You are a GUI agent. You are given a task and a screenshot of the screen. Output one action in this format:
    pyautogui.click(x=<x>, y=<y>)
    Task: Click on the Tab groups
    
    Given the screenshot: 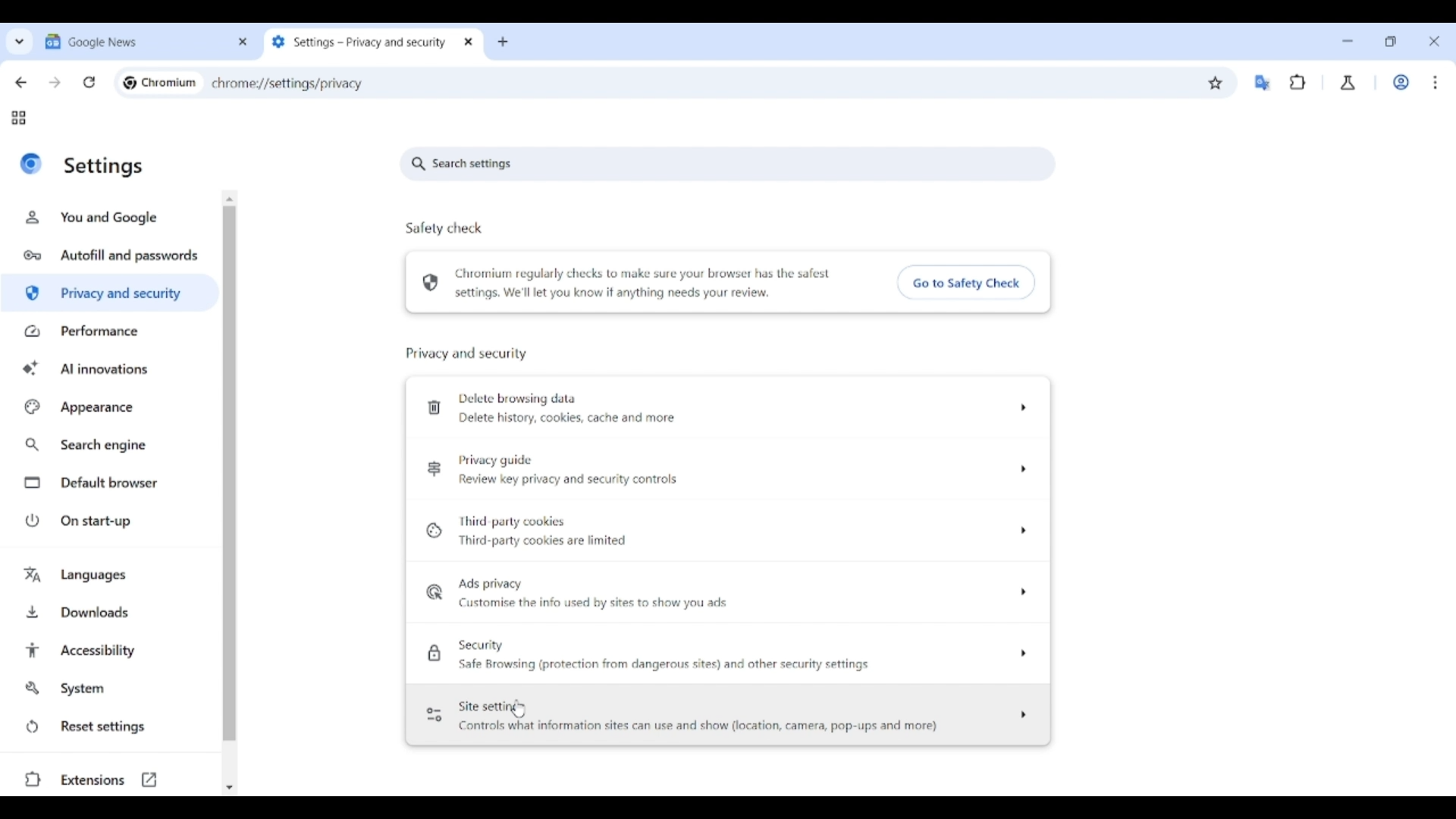 What is the action you would take?
    pyautogui.click(x=18, y=118)
    